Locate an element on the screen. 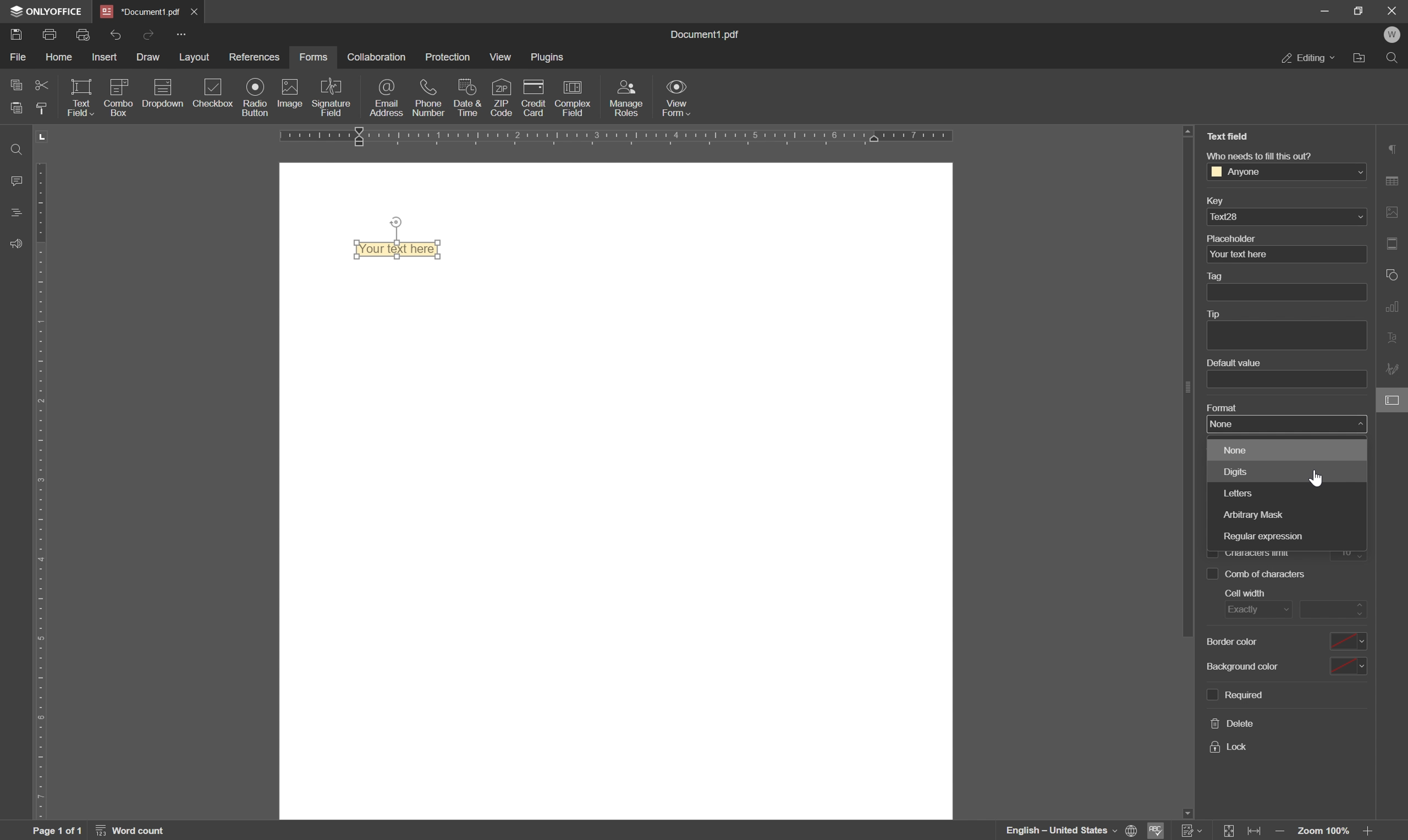 This screenshot has height=840, width=1408. undo is located at coordinates (117, 34).